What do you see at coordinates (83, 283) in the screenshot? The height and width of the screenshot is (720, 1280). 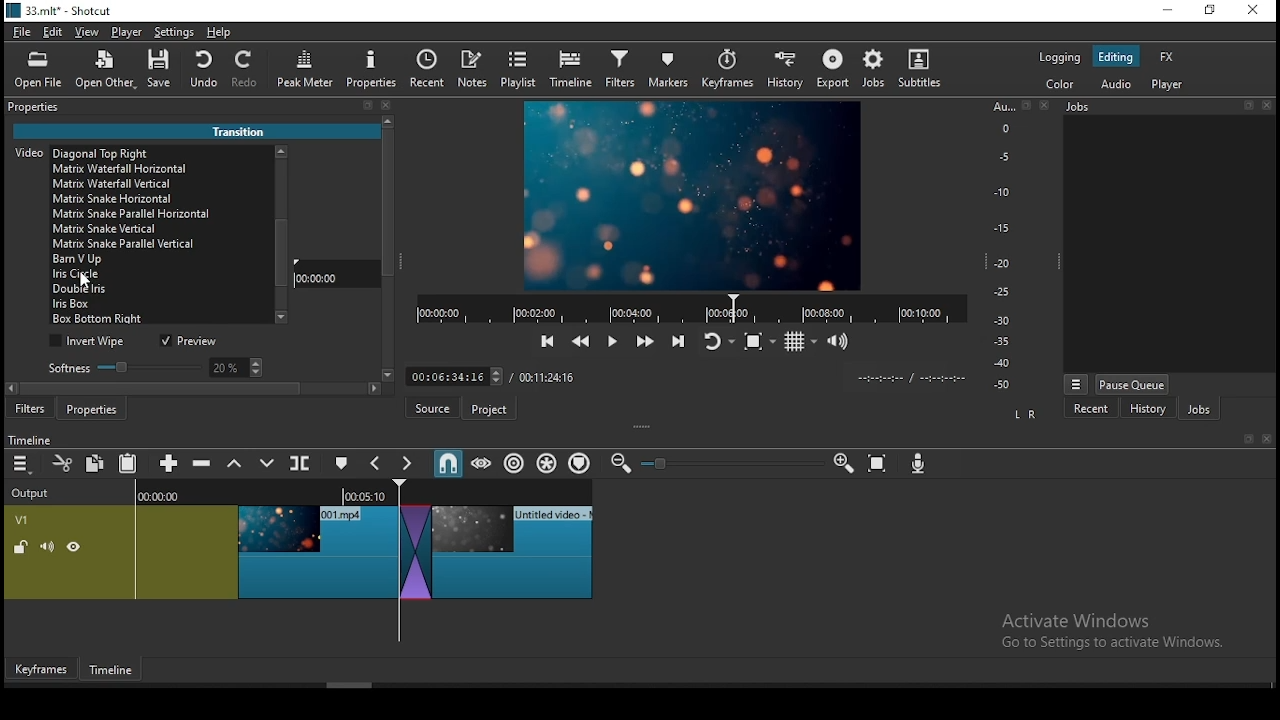 I see `cursor` at bounding box center [83, 283].